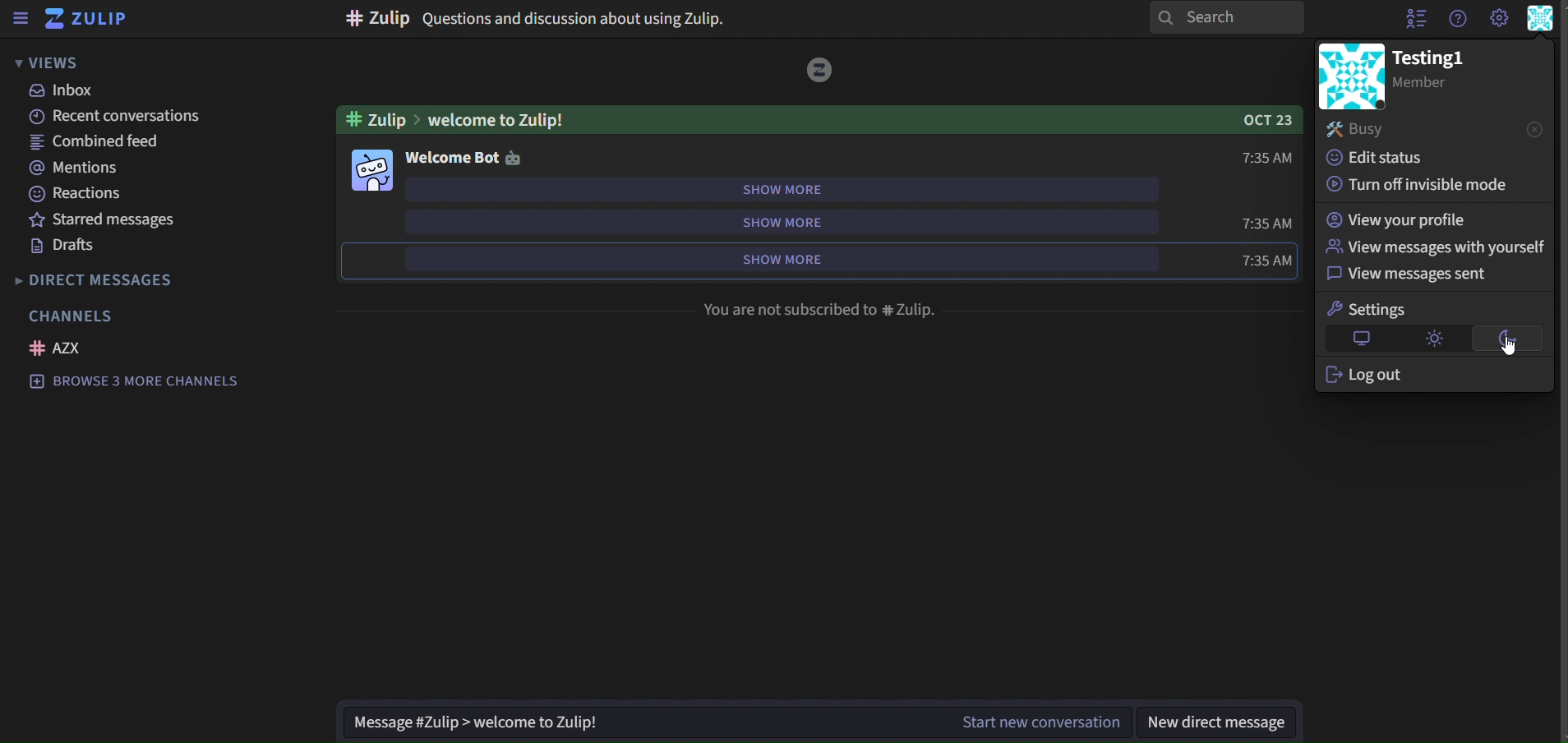  What do you see at coordinates (373, 168) in the screenshot?
I see `image` at bounding box center [373, 168].